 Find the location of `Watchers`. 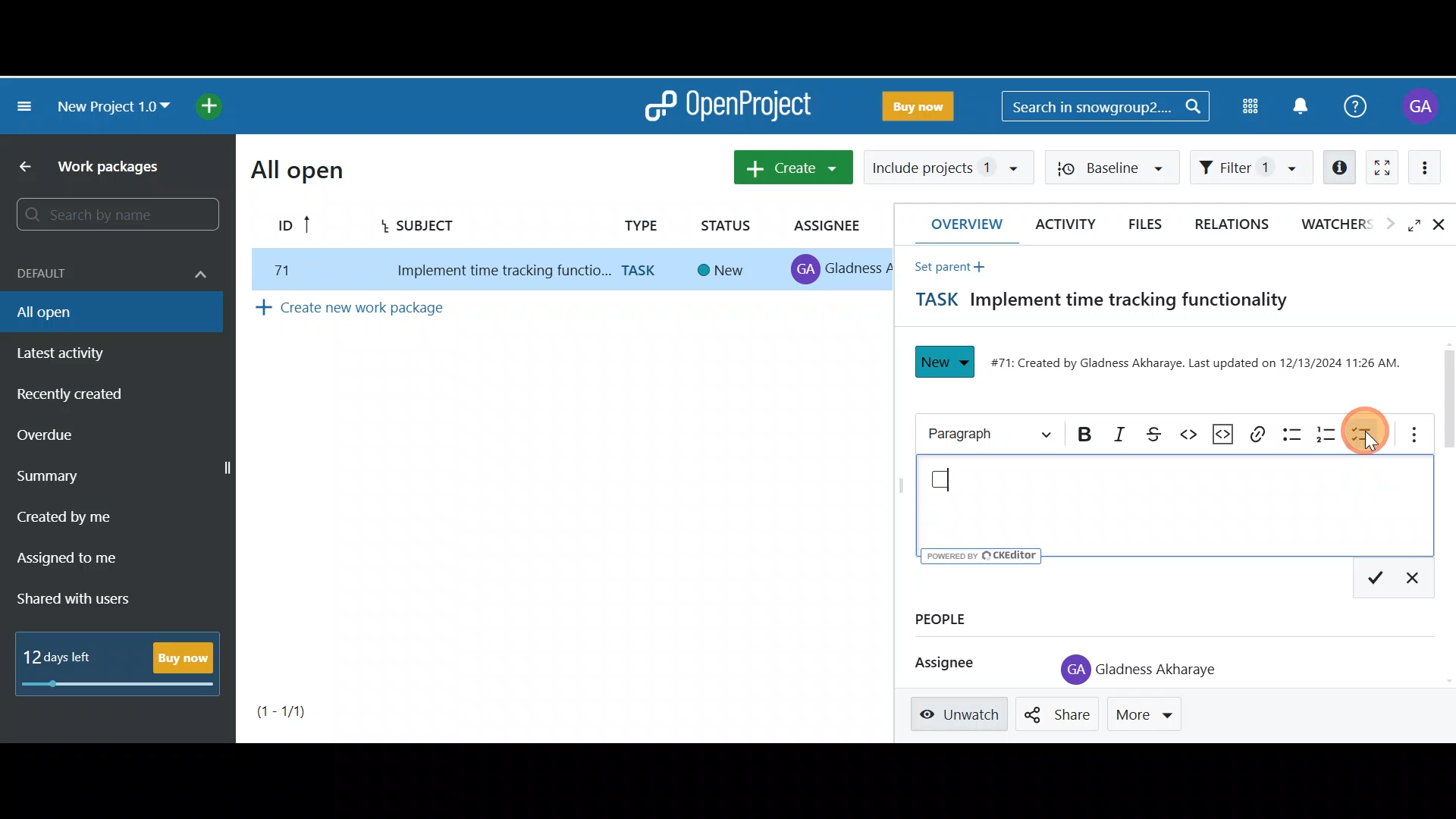

Watchers is located at coordinates (1335, 227).